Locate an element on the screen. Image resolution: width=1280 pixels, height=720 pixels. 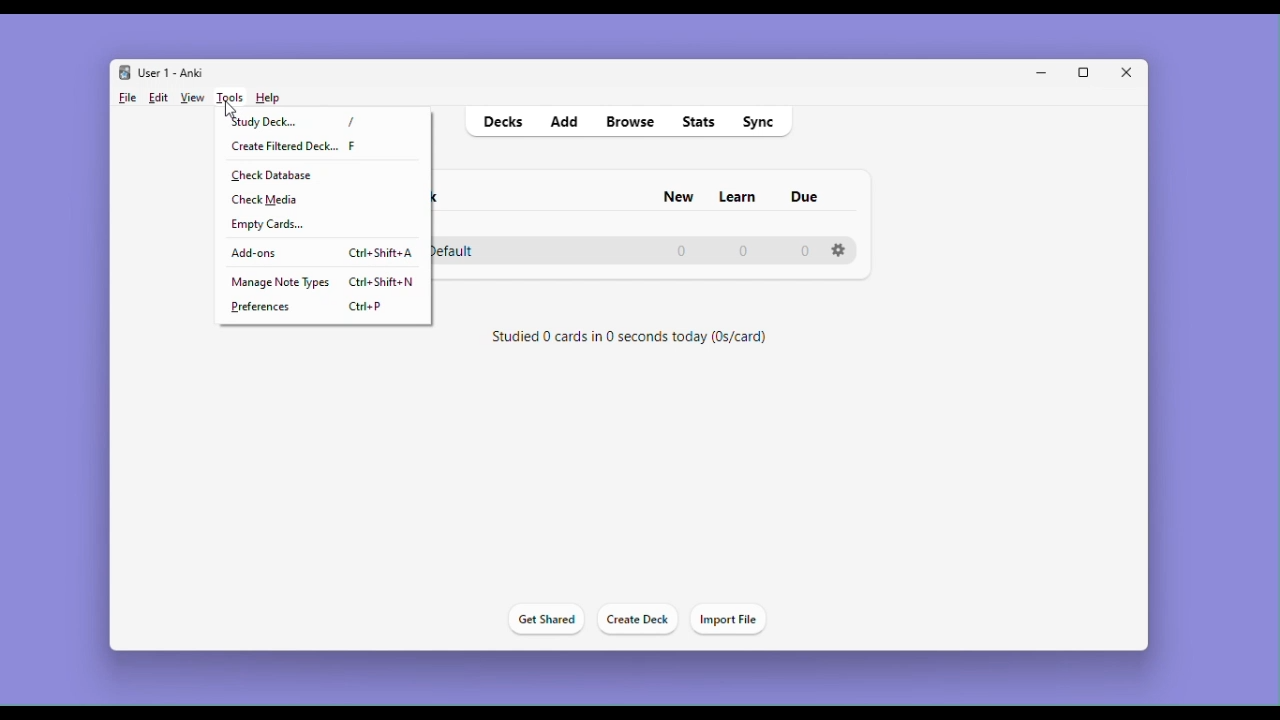
check Database  is located at coordinates (270, 176).